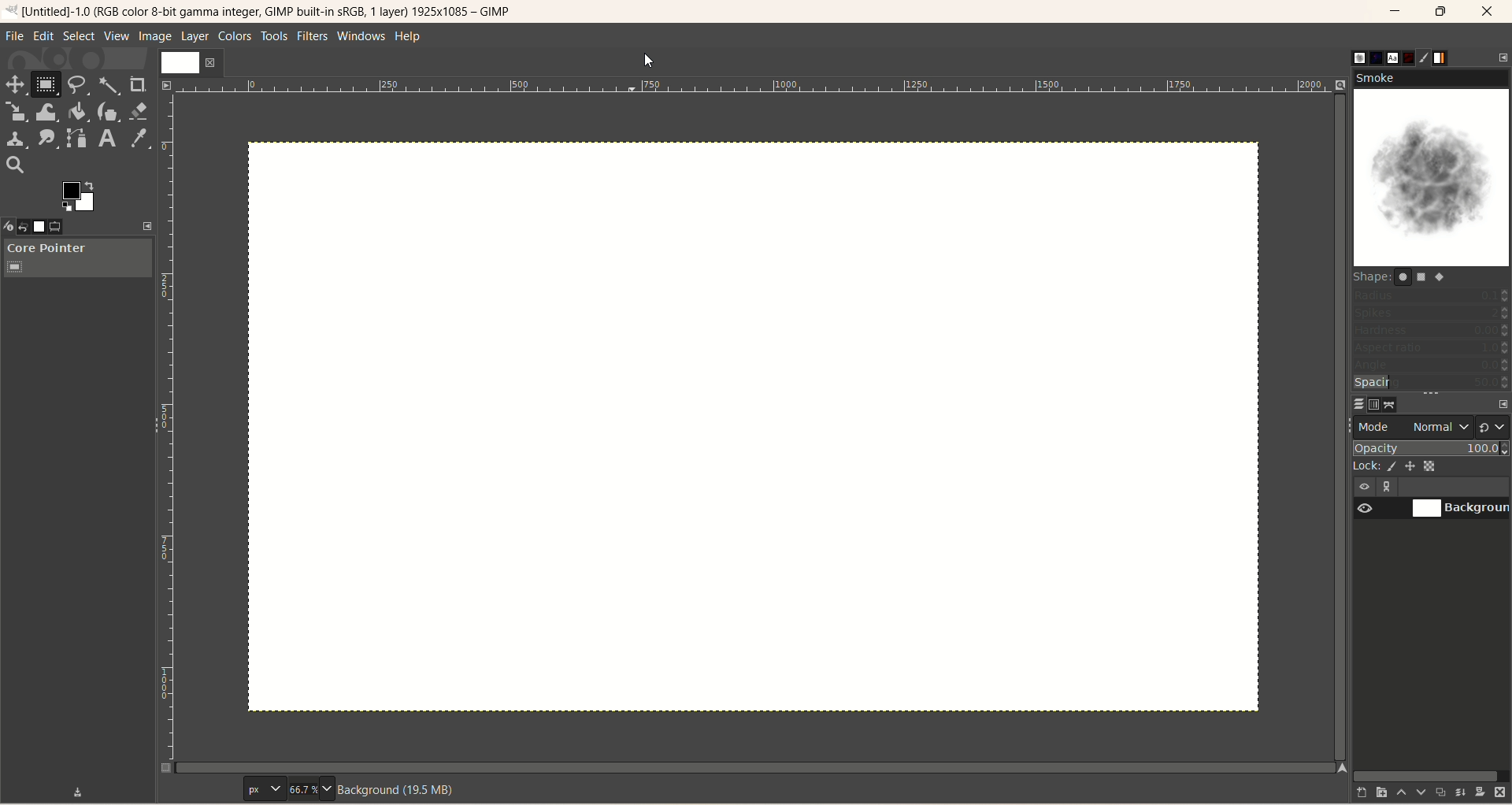  I want to click on save, so click(80, 792).